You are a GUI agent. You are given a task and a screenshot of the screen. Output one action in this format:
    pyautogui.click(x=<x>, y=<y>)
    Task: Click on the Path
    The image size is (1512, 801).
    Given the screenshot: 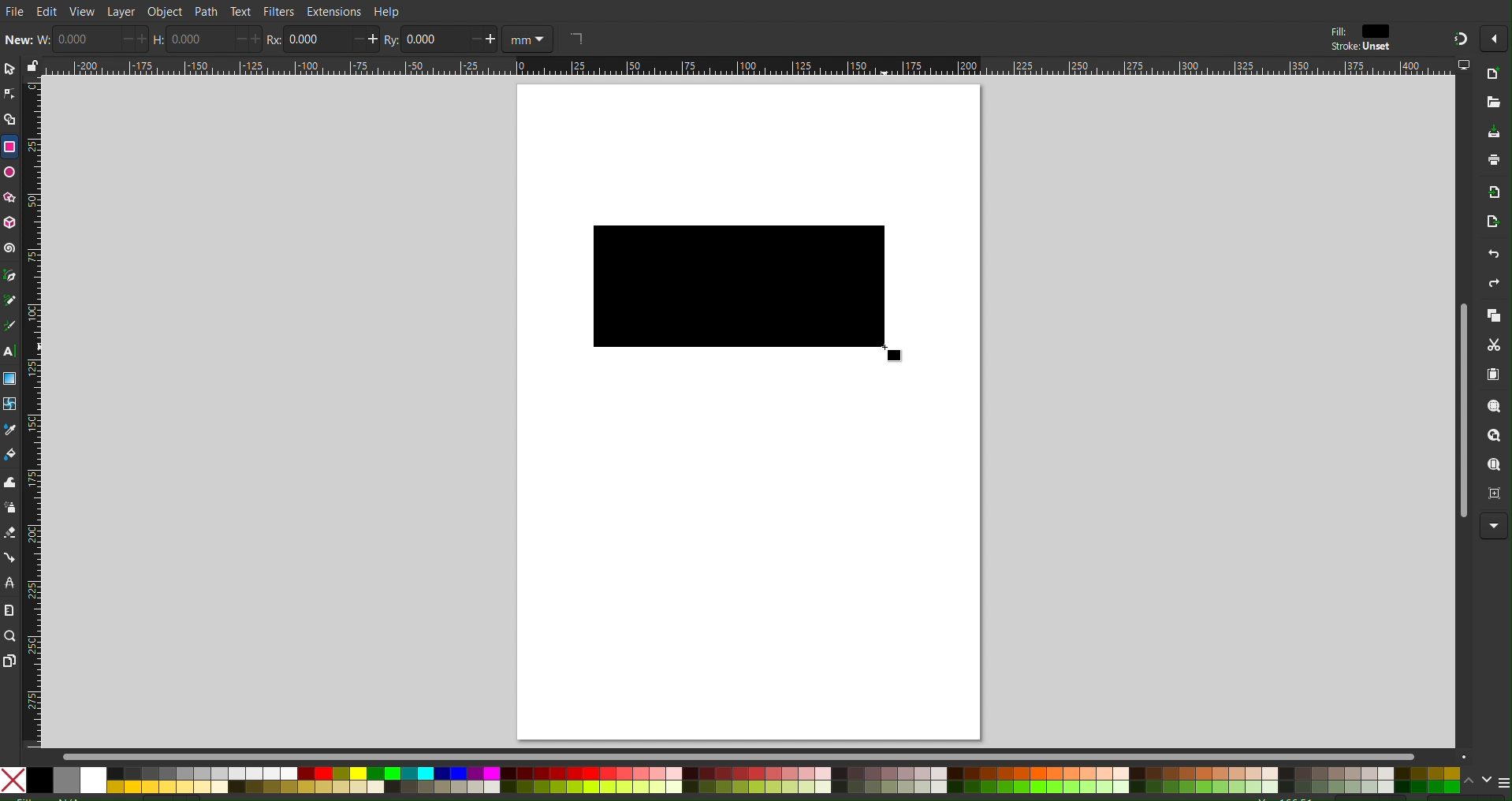 What is the action you would take?
    pyautogui.click(x=204, y=12)
    